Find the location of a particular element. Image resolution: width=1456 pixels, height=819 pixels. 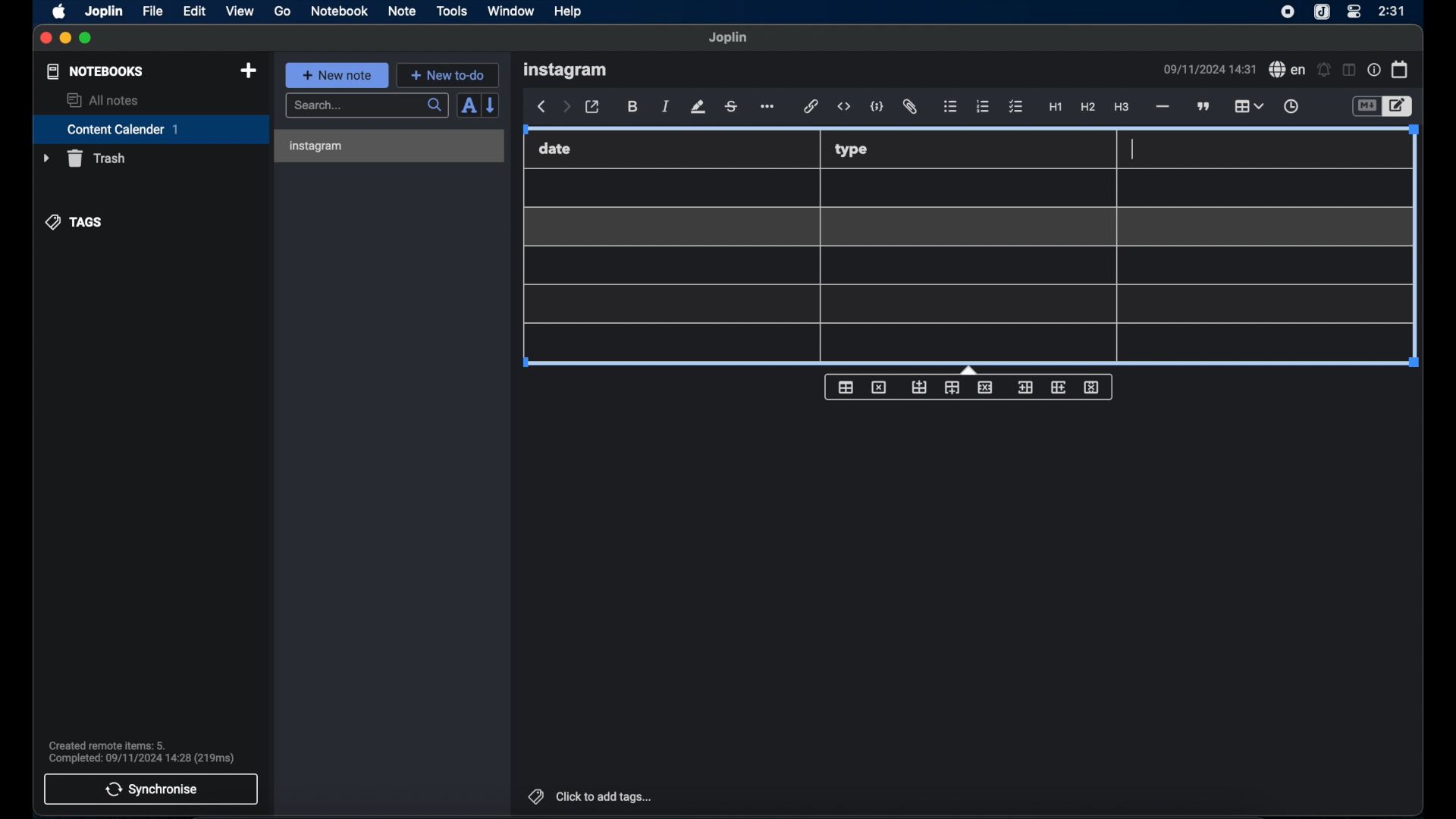

spell check is located at coordinates (1288, 69).